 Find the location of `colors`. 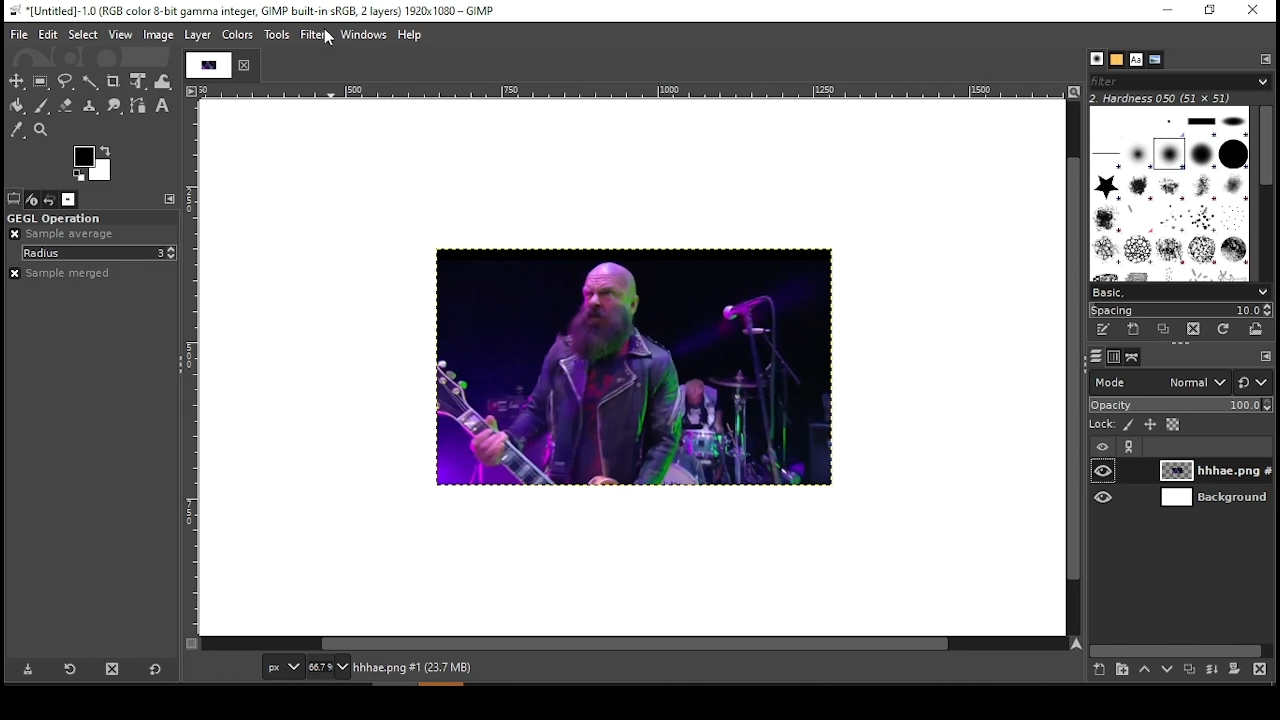

colors is located at coordinates (238, 36).